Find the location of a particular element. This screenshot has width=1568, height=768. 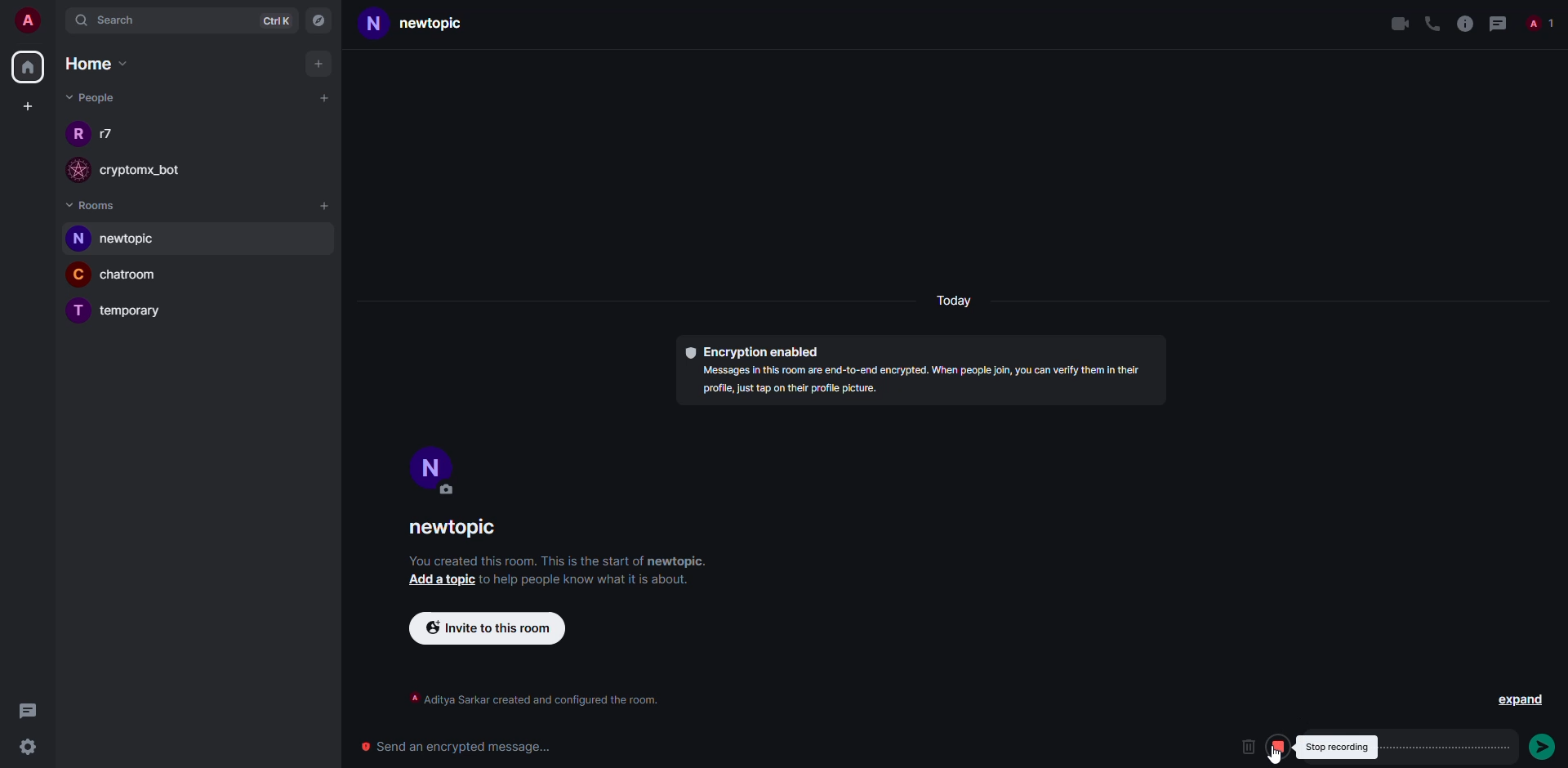

create space is located at coordinates (27, 108).